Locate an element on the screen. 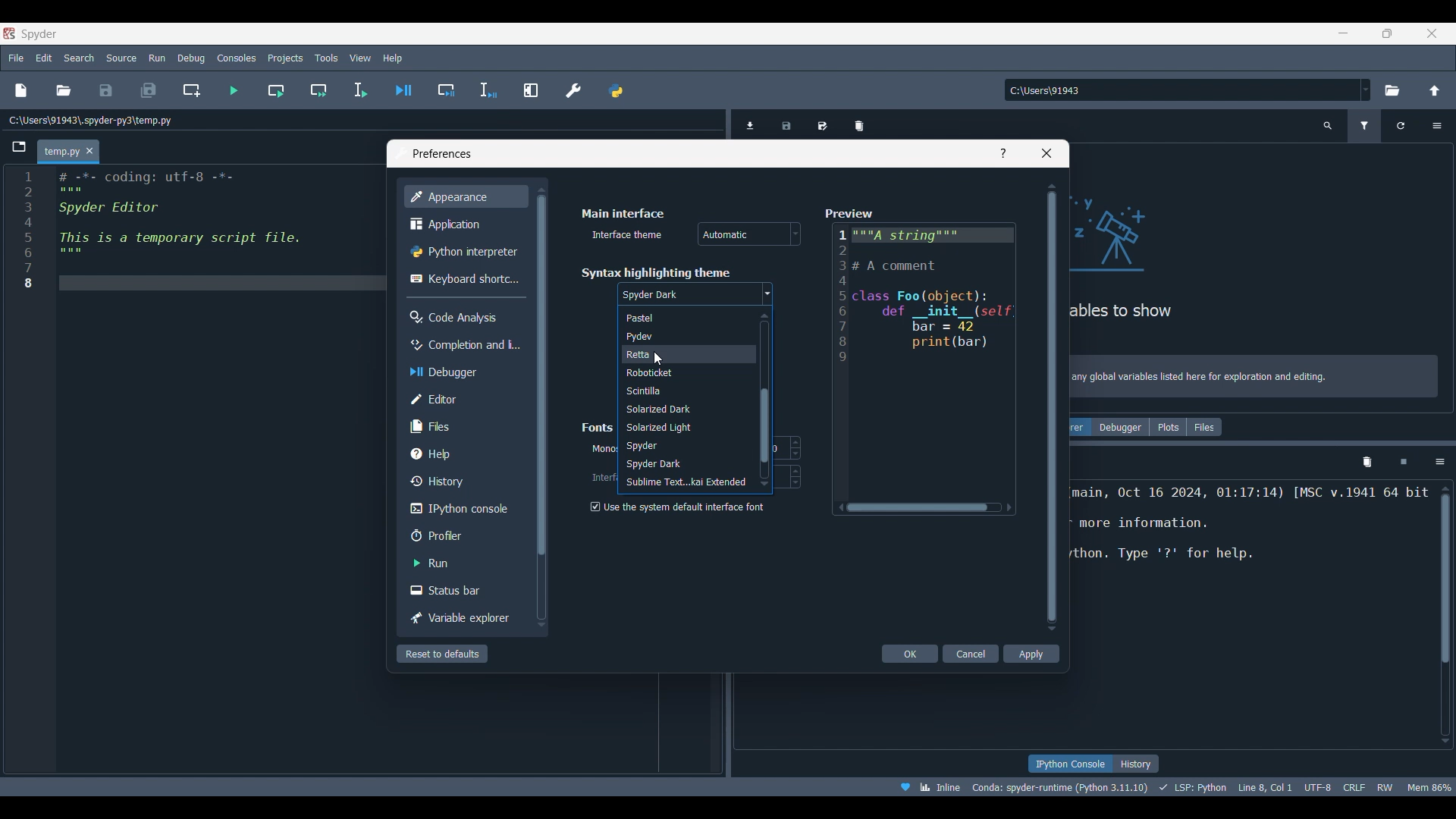 This screenshot has width=1456, height=819. Change to parent directory is located at coordinates (1435, 90).